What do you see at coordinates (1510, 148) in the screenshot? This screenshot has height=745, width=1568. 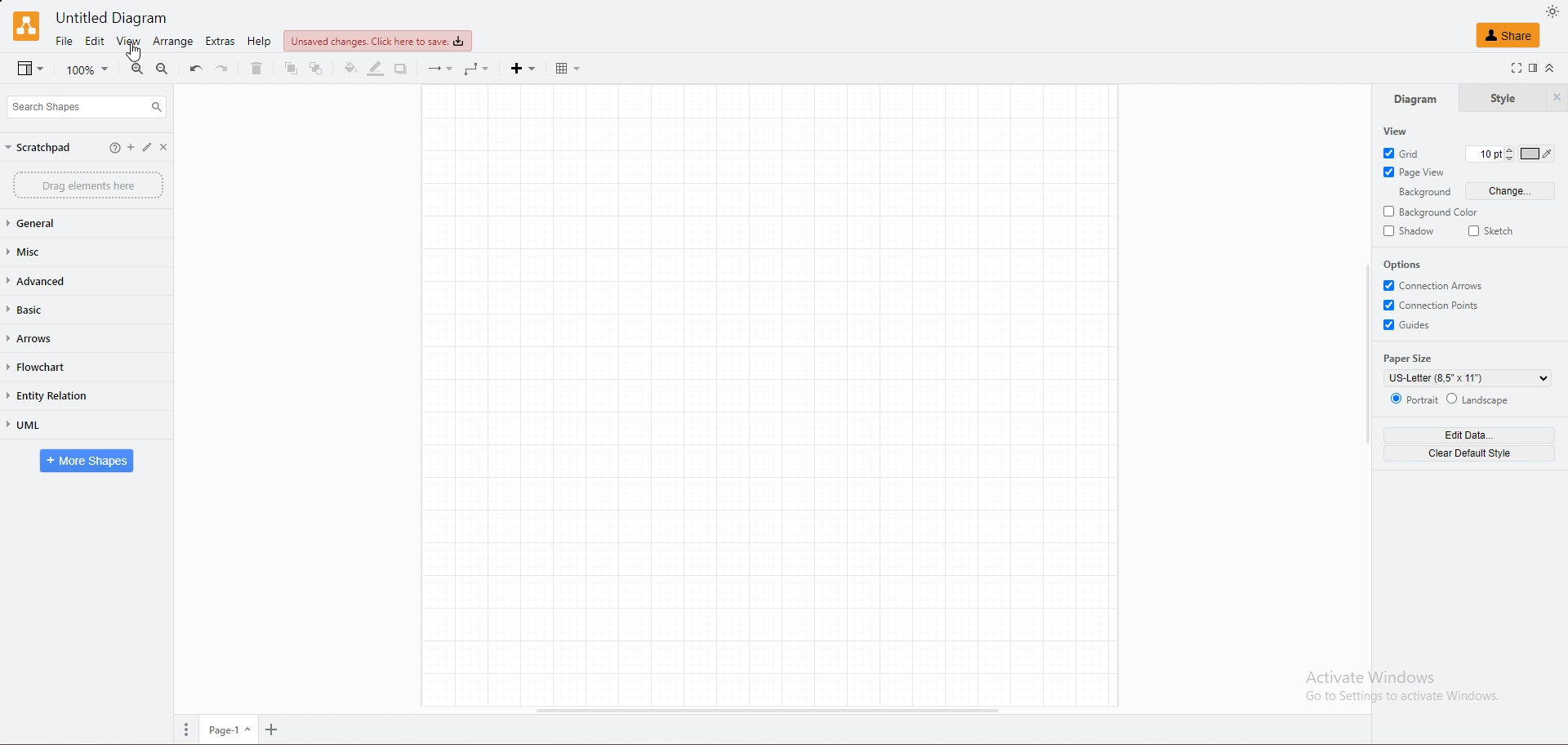 I see `increase grid pt` at bounding box center [1510, 148].